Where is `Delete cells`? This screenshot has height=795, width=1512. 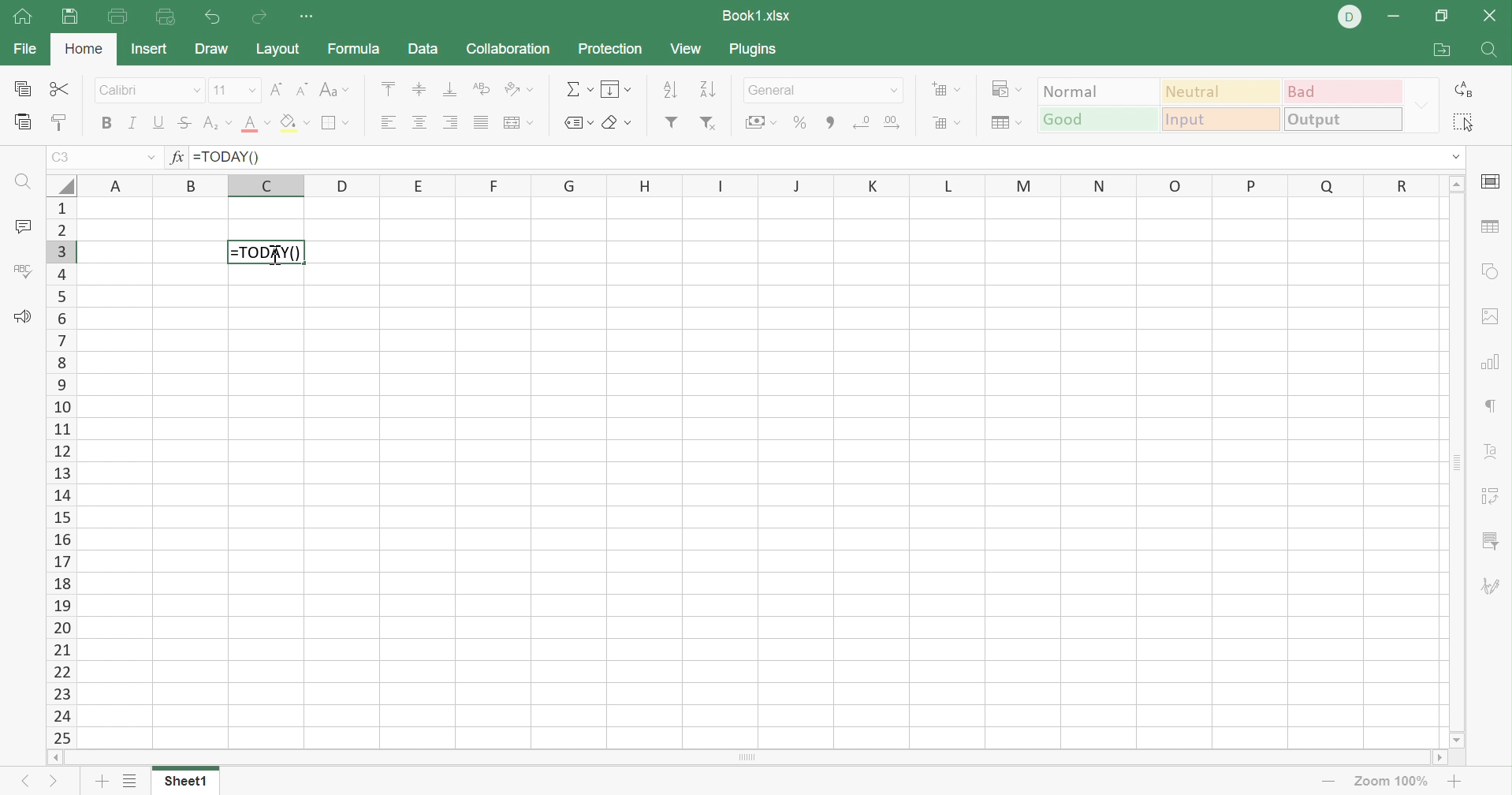 Delete cells is located at coordinates (949, 124).